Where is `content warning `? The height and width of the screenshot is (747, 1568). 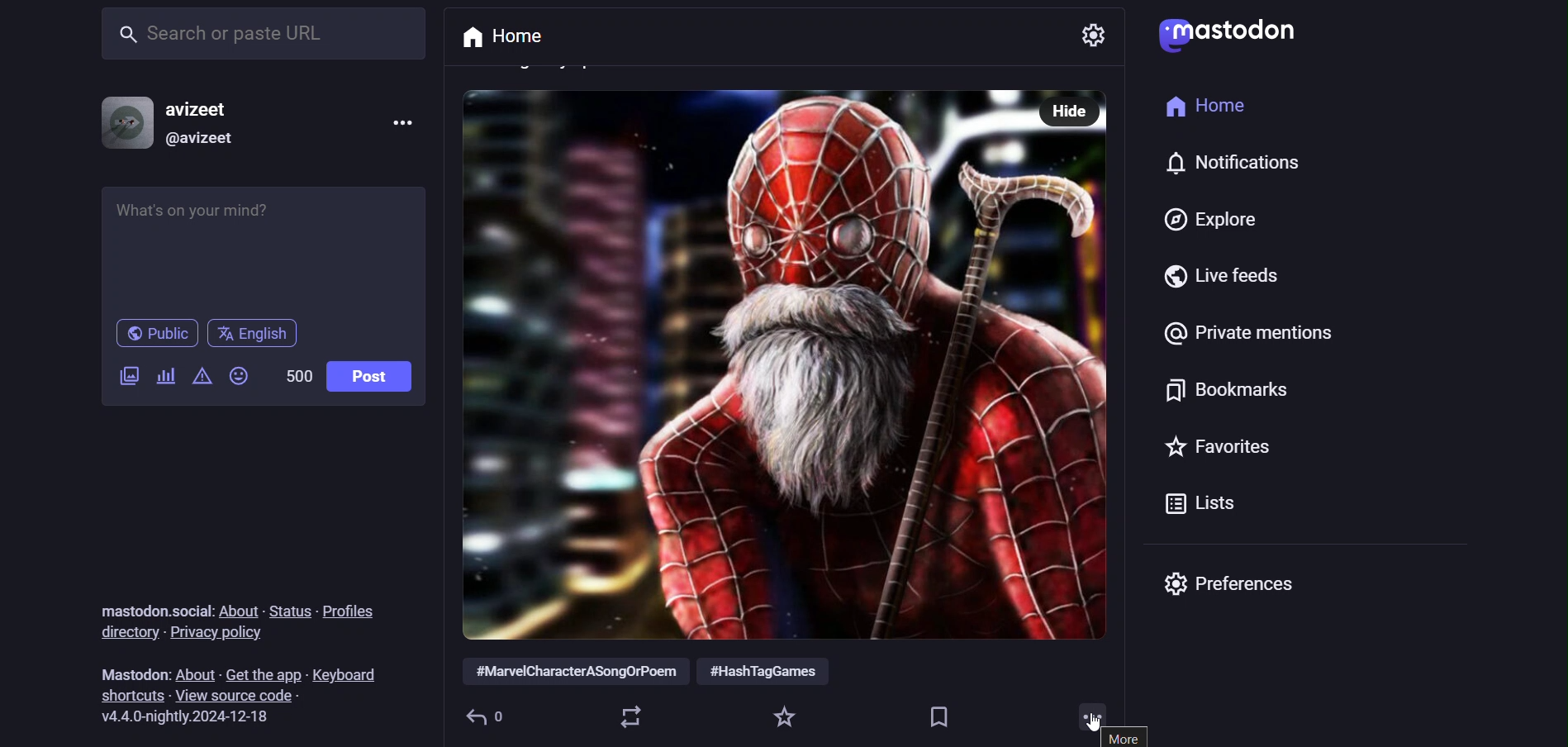 content warning  is located at coordinates (165, 377).